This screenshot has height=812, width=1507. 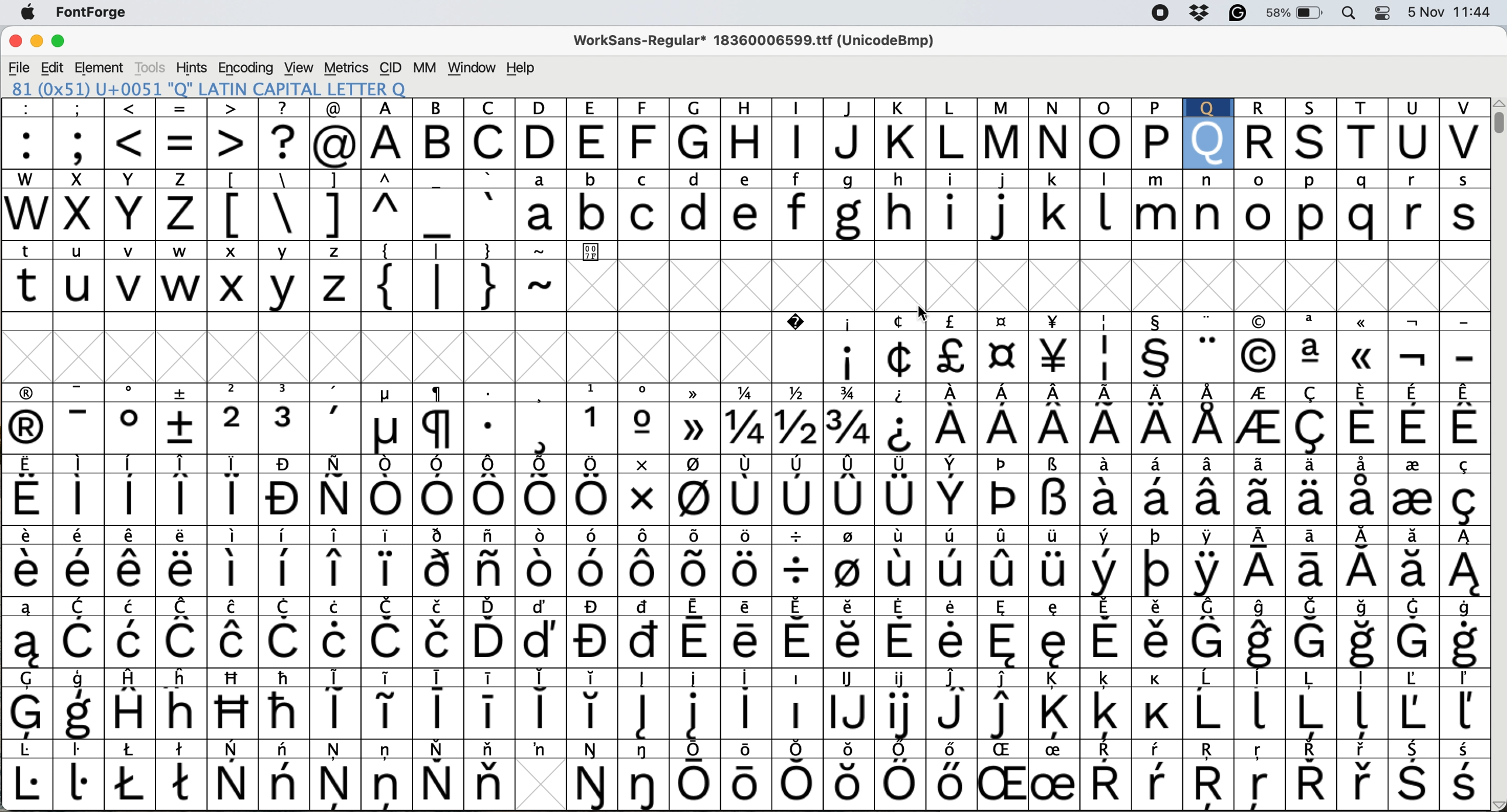 What do you see at coordinates (18, 67) in the screenshot?
I see `file` at bounding box center [18, 67].